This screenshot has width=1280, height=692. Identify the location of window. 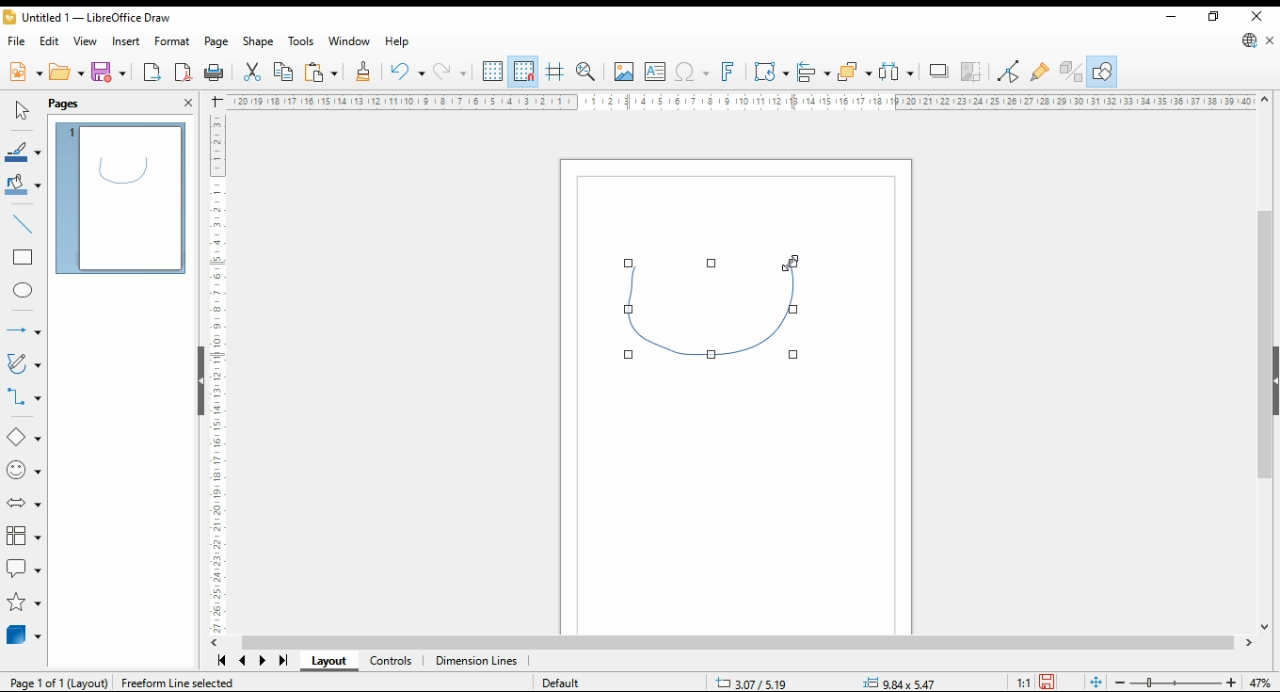
(349, 41).